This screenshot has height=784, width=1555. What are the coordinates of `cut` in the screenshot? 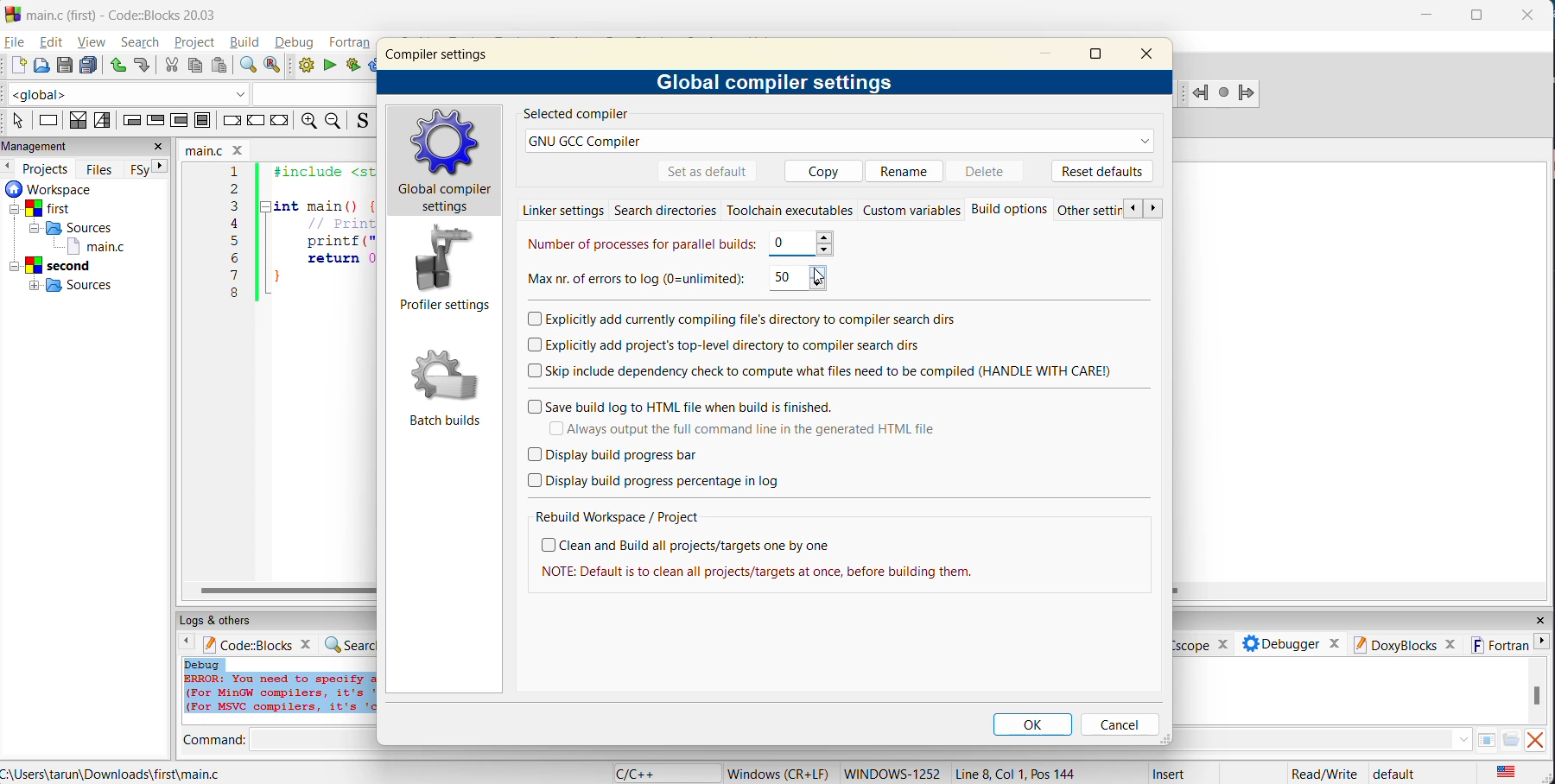 It's located at (168, 66).